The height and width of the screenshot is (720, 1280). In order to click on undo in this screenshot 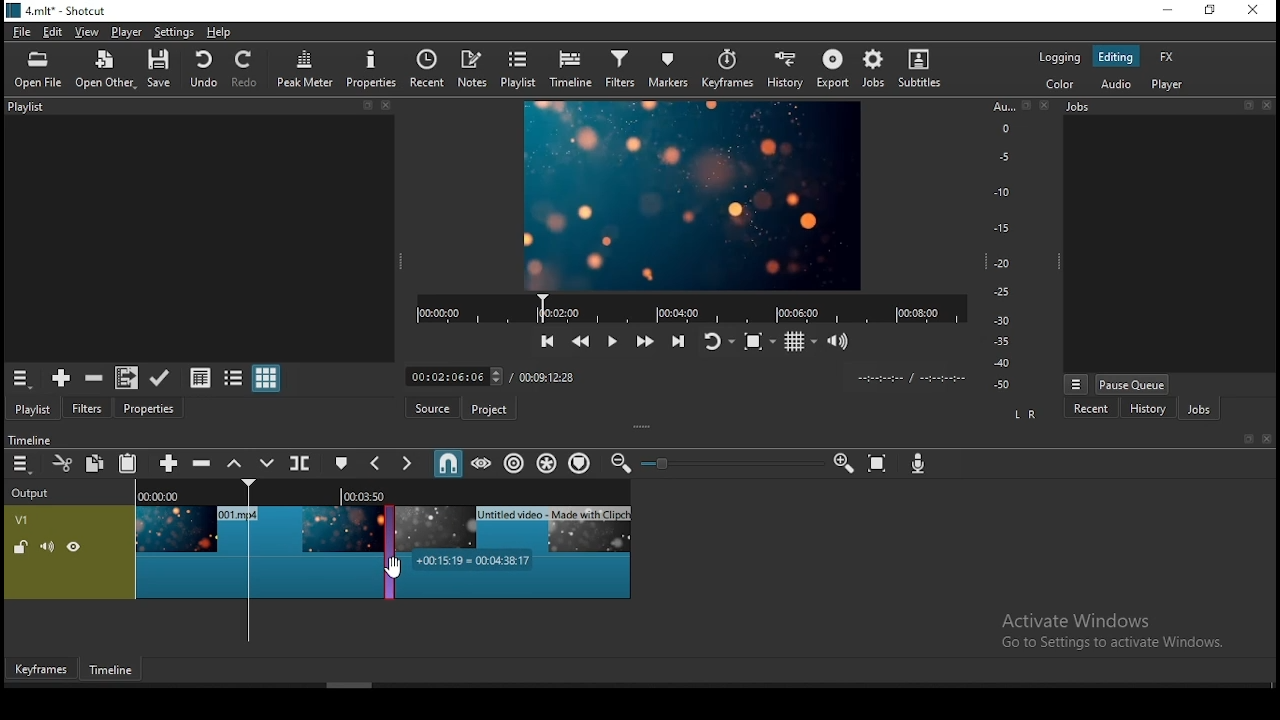, I will do `click(203, 68)`.